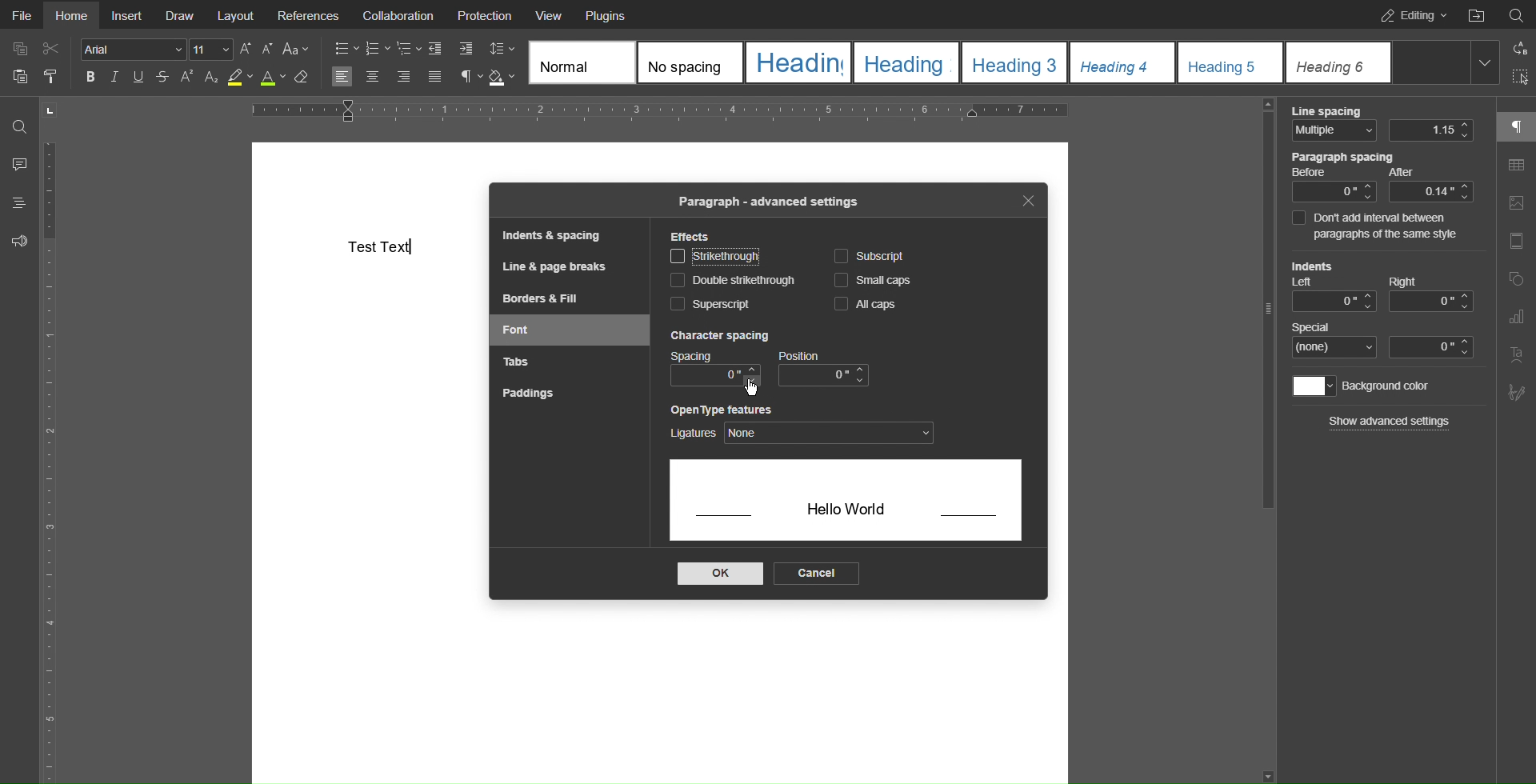 The width and height of the screenshot is (1536, 784). What do you see at coordinates (211, 78) in the screenshot?
I see `Subscript` at bounding box center [211, 78].